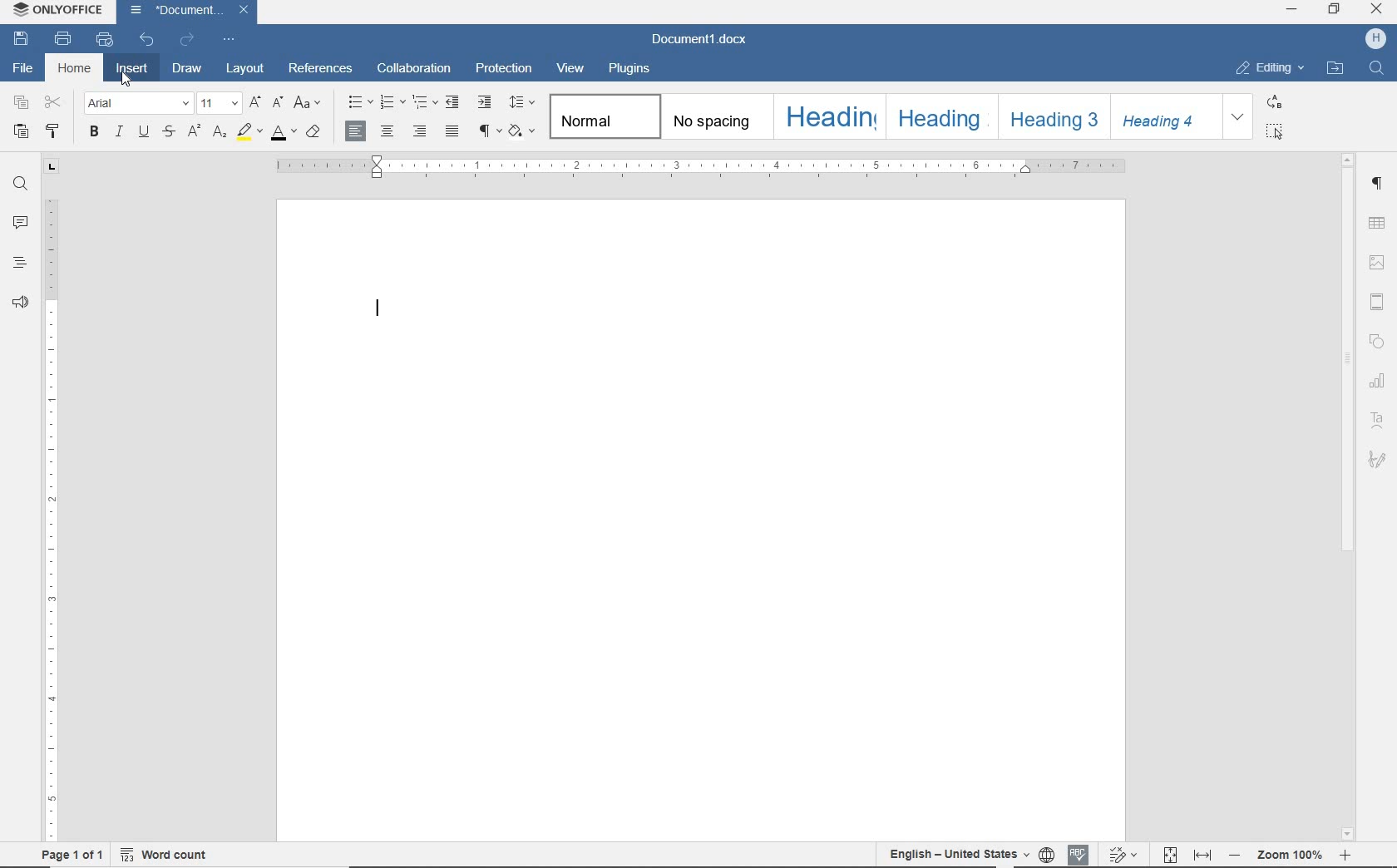 This screenshot has width=1397, height=868. What do you see at coordinates (191, 11) in the screenshot?
I see `Document1(document name)` at bounding box center [191, 11].